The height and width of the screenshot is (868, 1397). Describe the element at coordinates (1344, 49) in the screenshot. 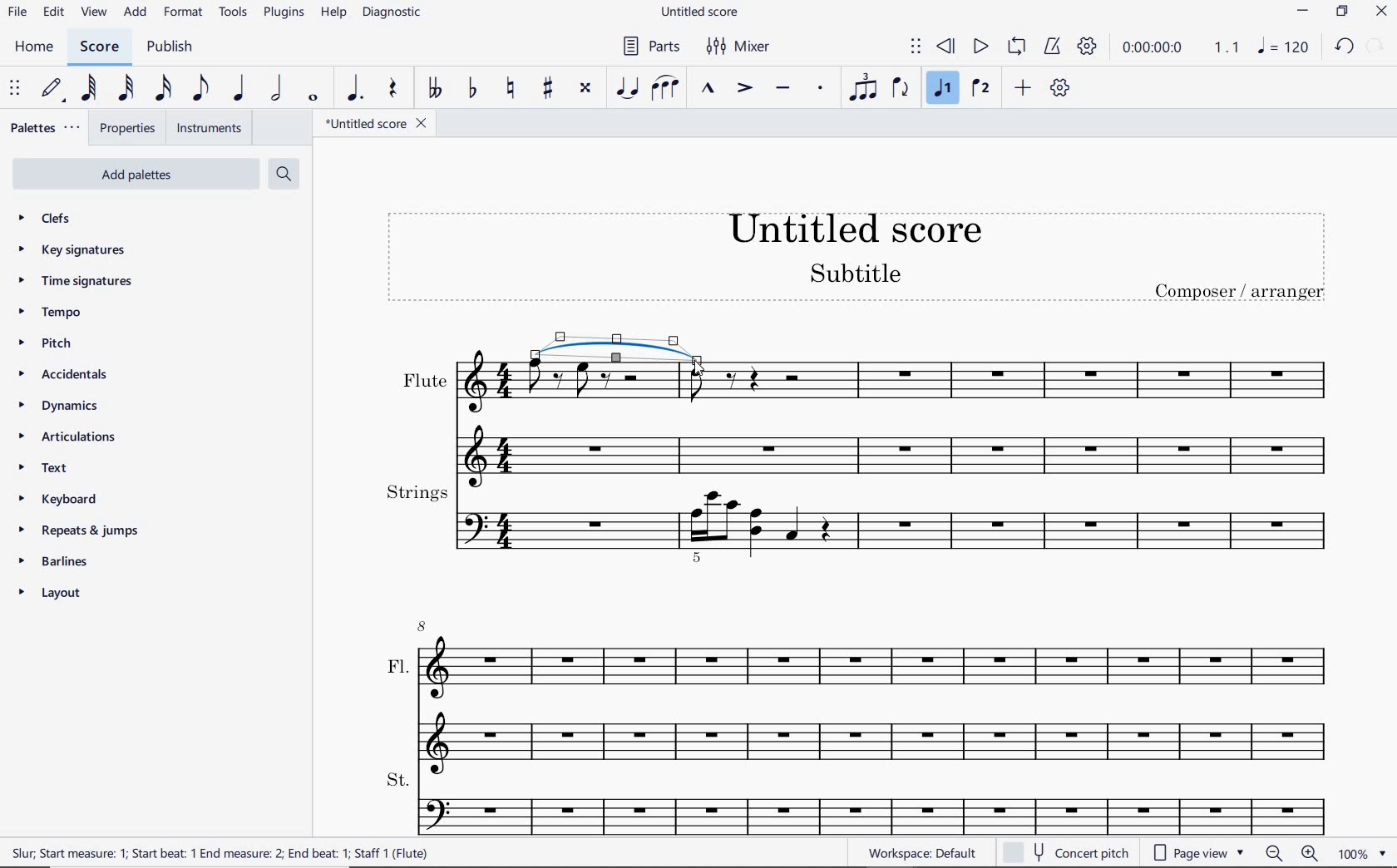

I see `undo` at that location.